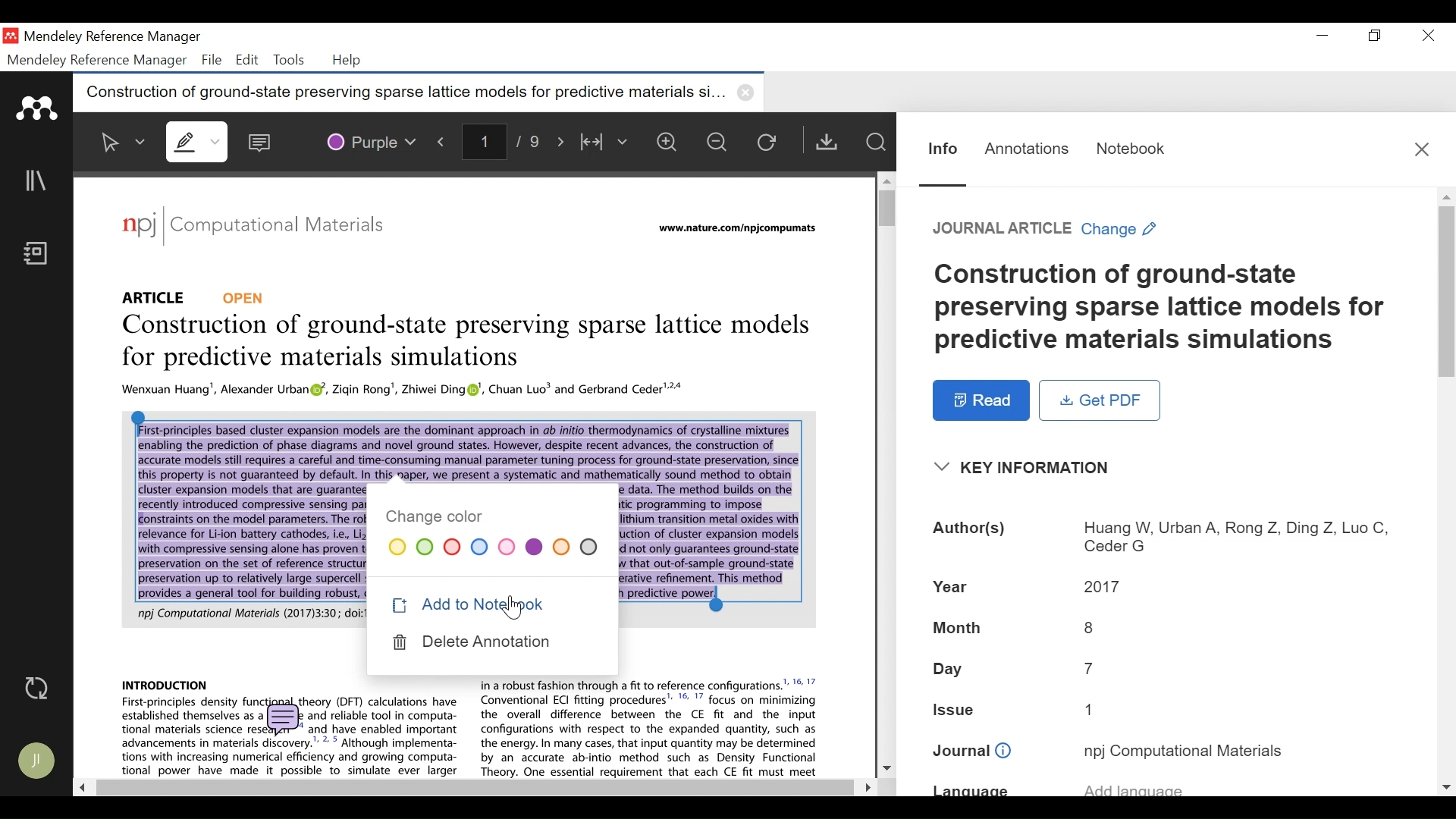 The height and width of the screenshot is (819, 1456). I want to click on Mendeley Reference Manager, so click(111, 39).